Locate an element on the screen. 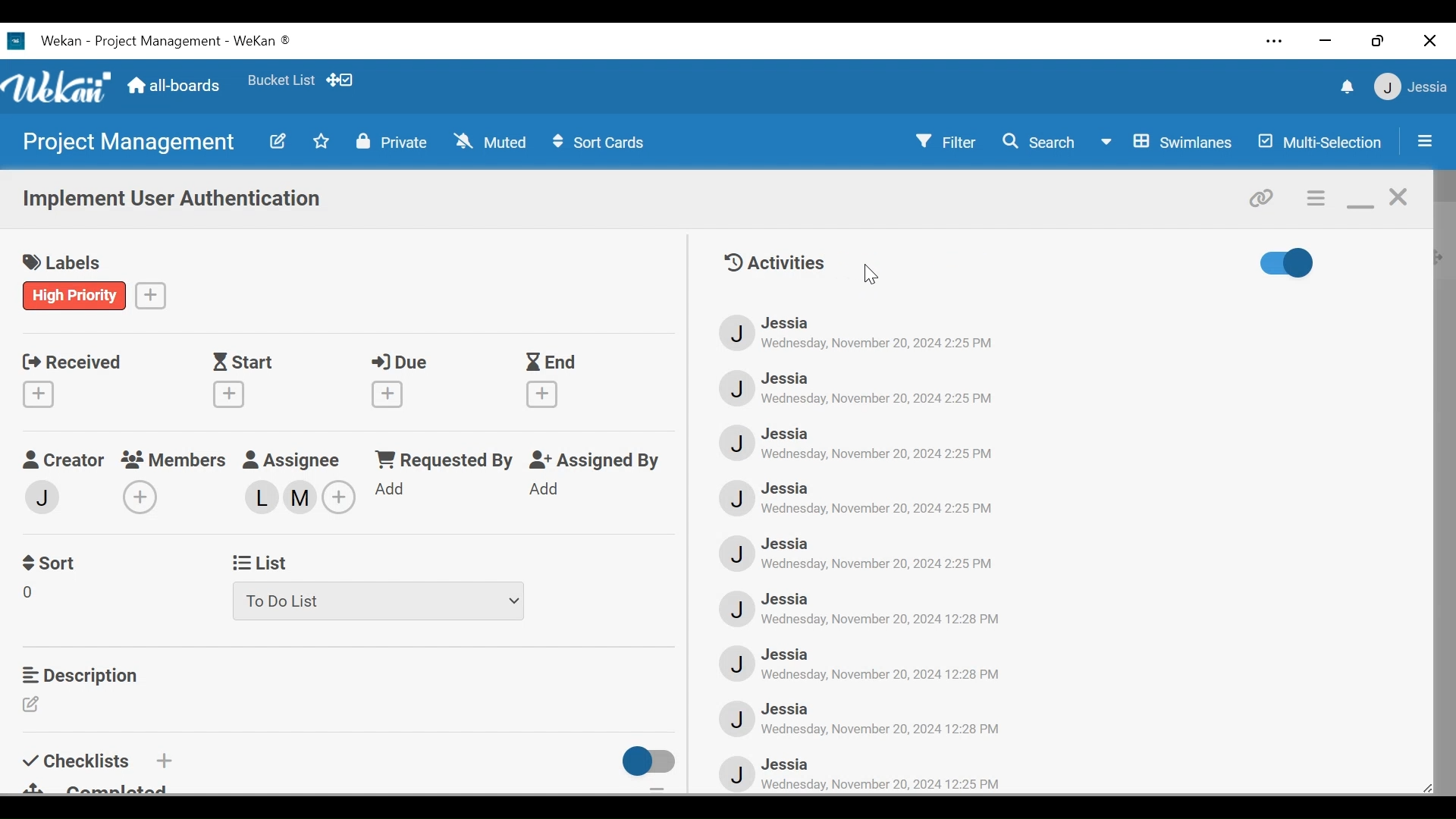 The width and height of the screenshot is (1456, 819). Member Name is located at coordinates (788, 598).